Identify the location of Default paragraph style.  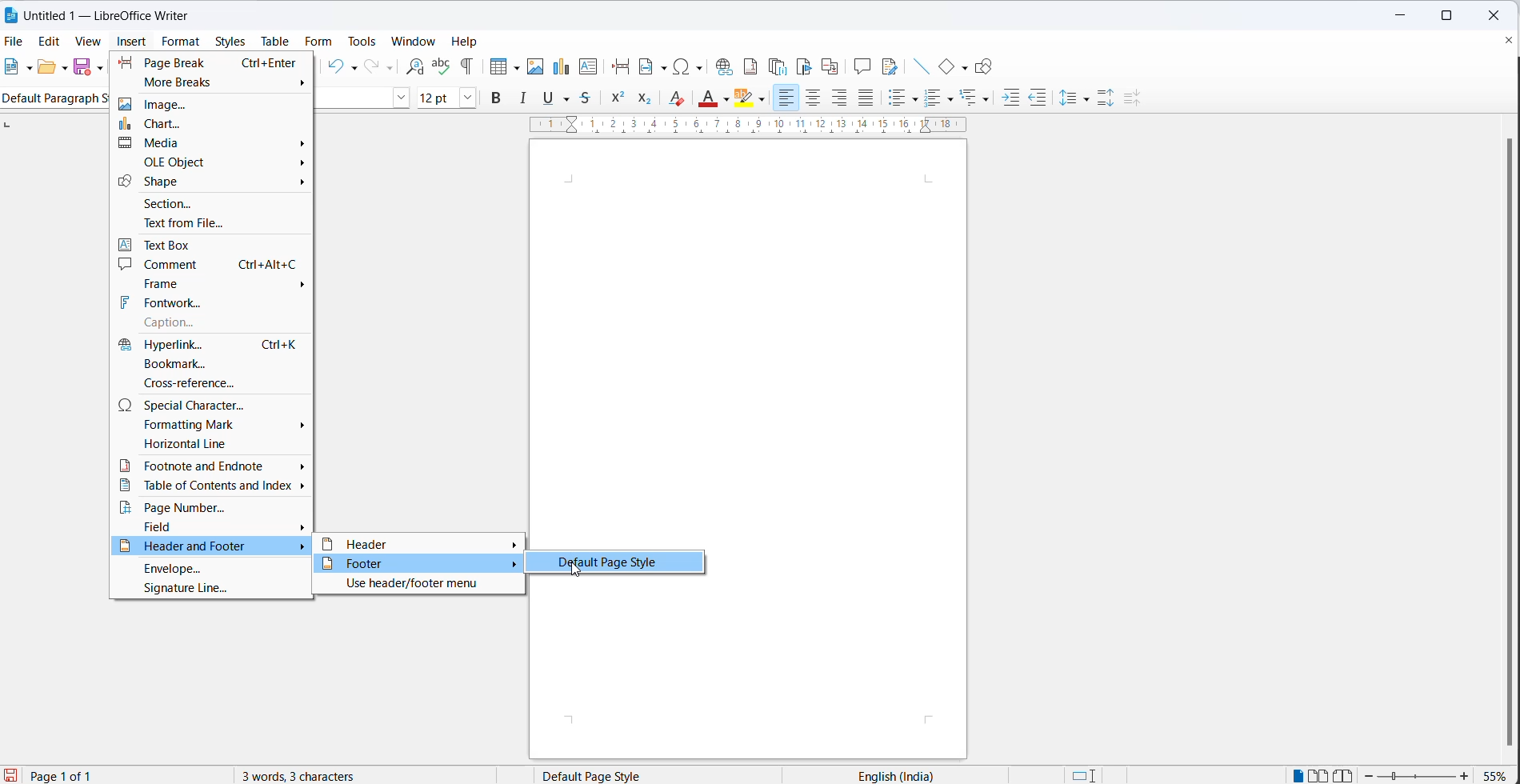
(58, 100).